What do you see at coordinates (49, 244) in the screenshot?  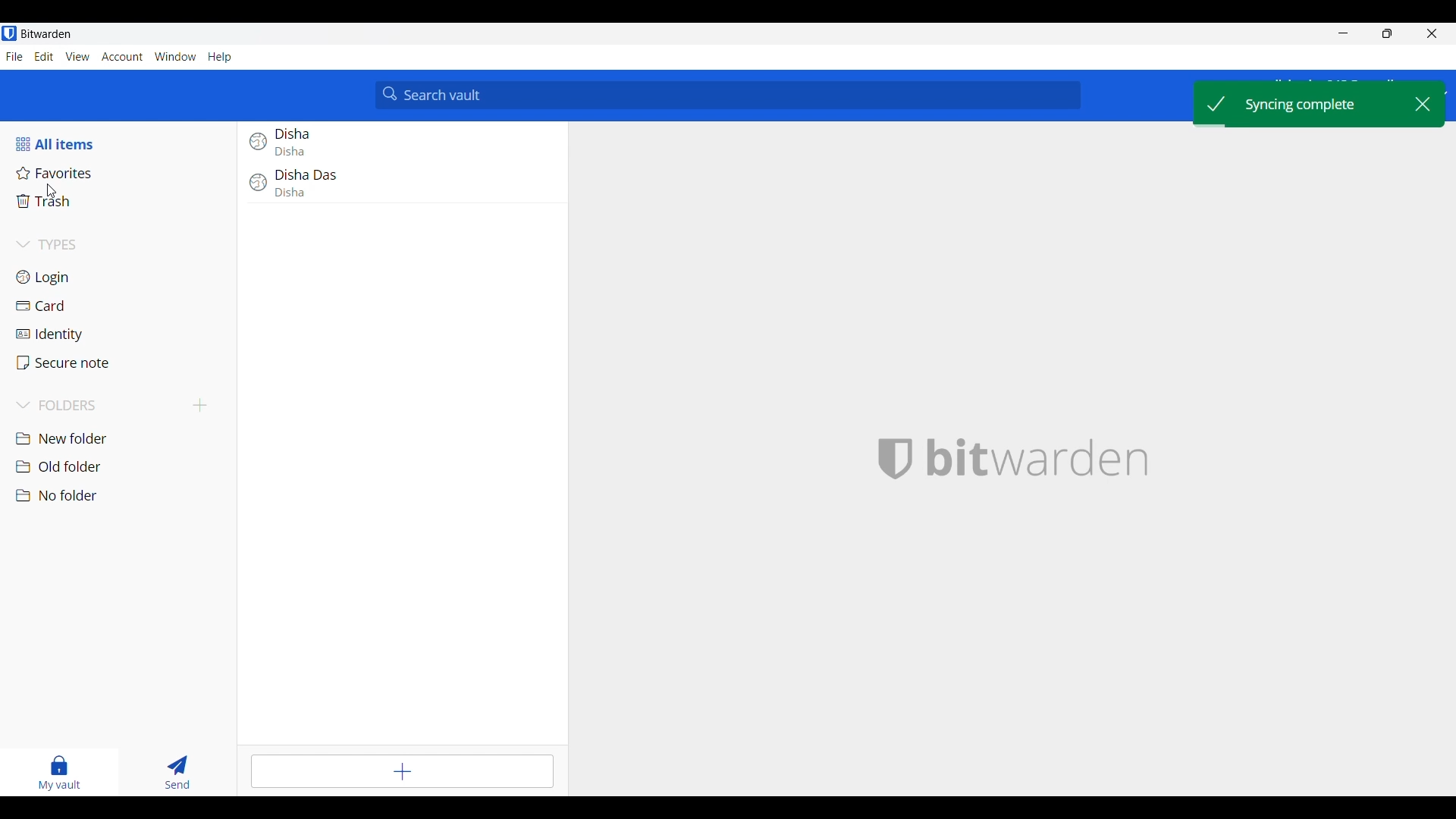 I see `Collapse Types` at bounding box center [49, 244].